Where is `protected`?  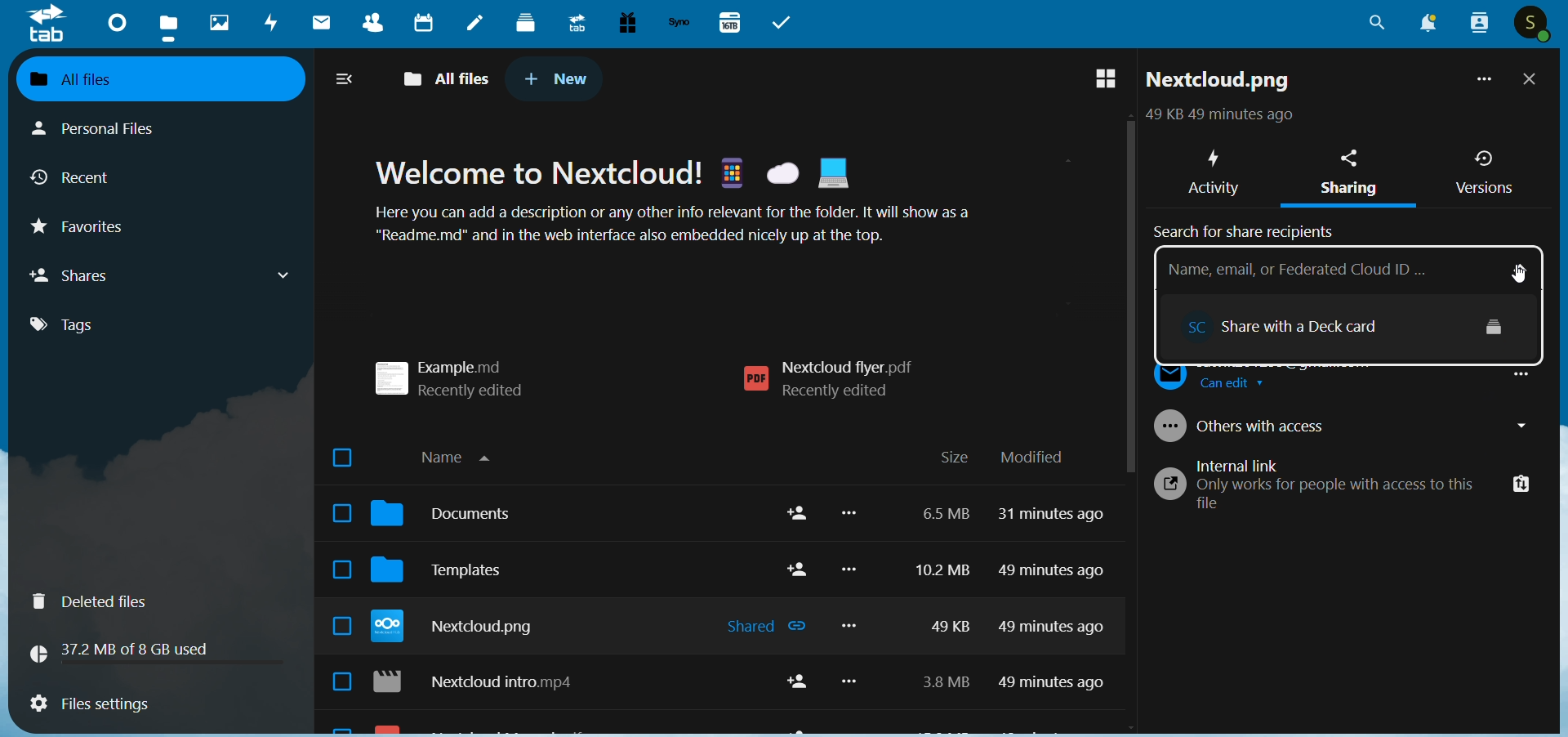 protected is located at coordinates (1495, 325).